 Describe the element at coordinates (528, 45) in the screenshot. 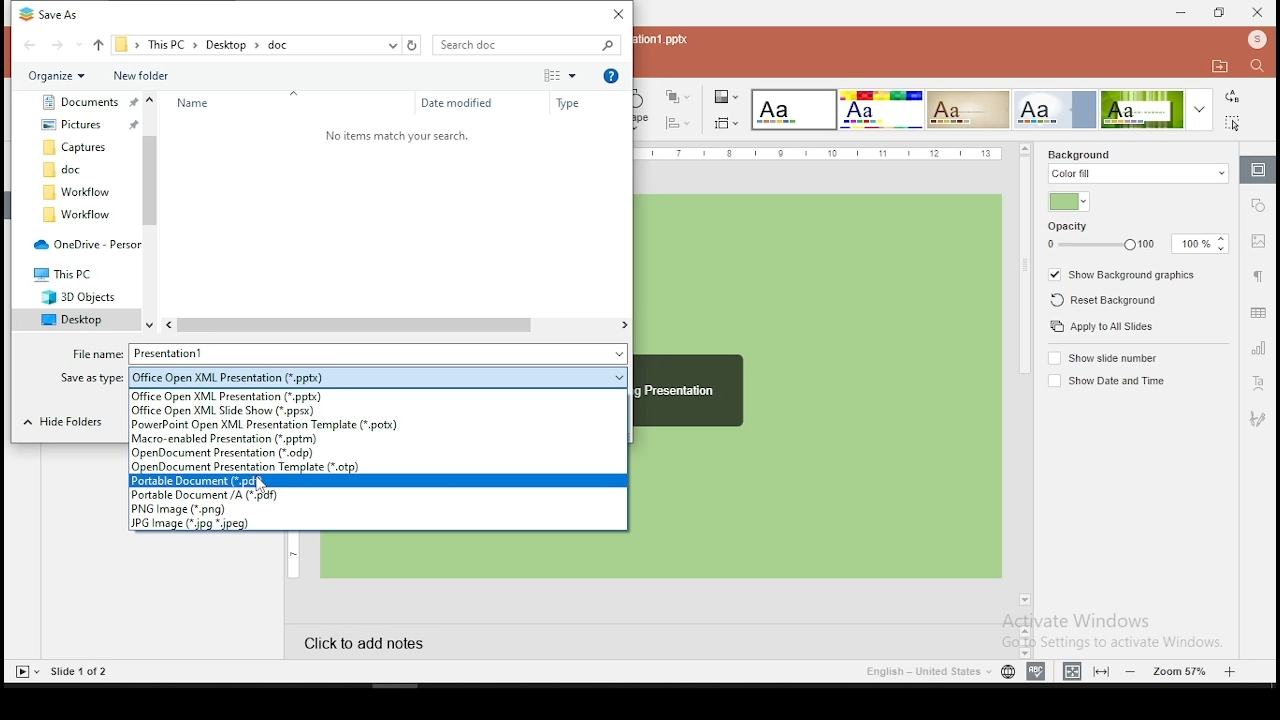

I see `search box` at that location.